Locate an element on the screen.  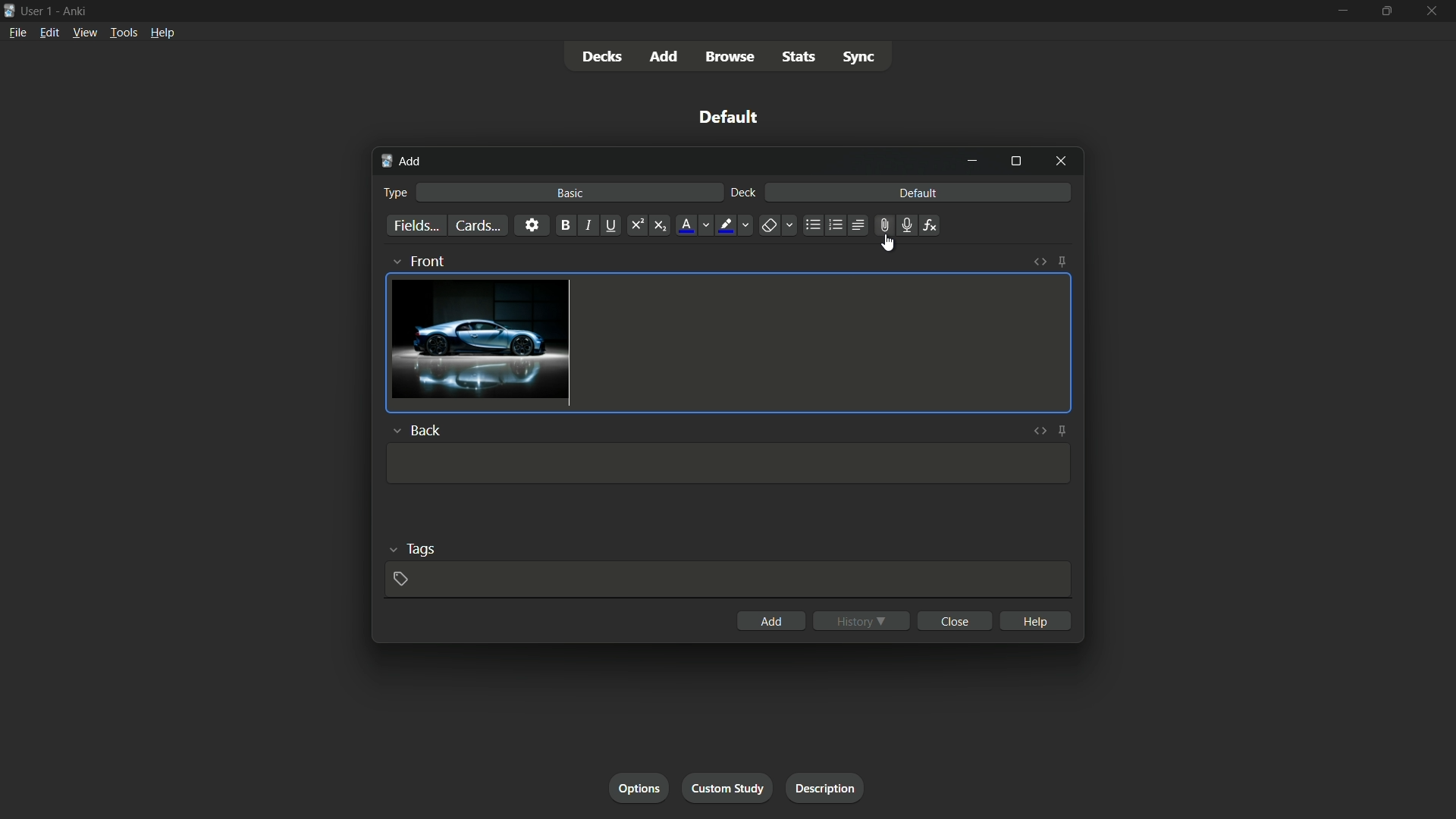
one image added is located at coordinates (480, 342).